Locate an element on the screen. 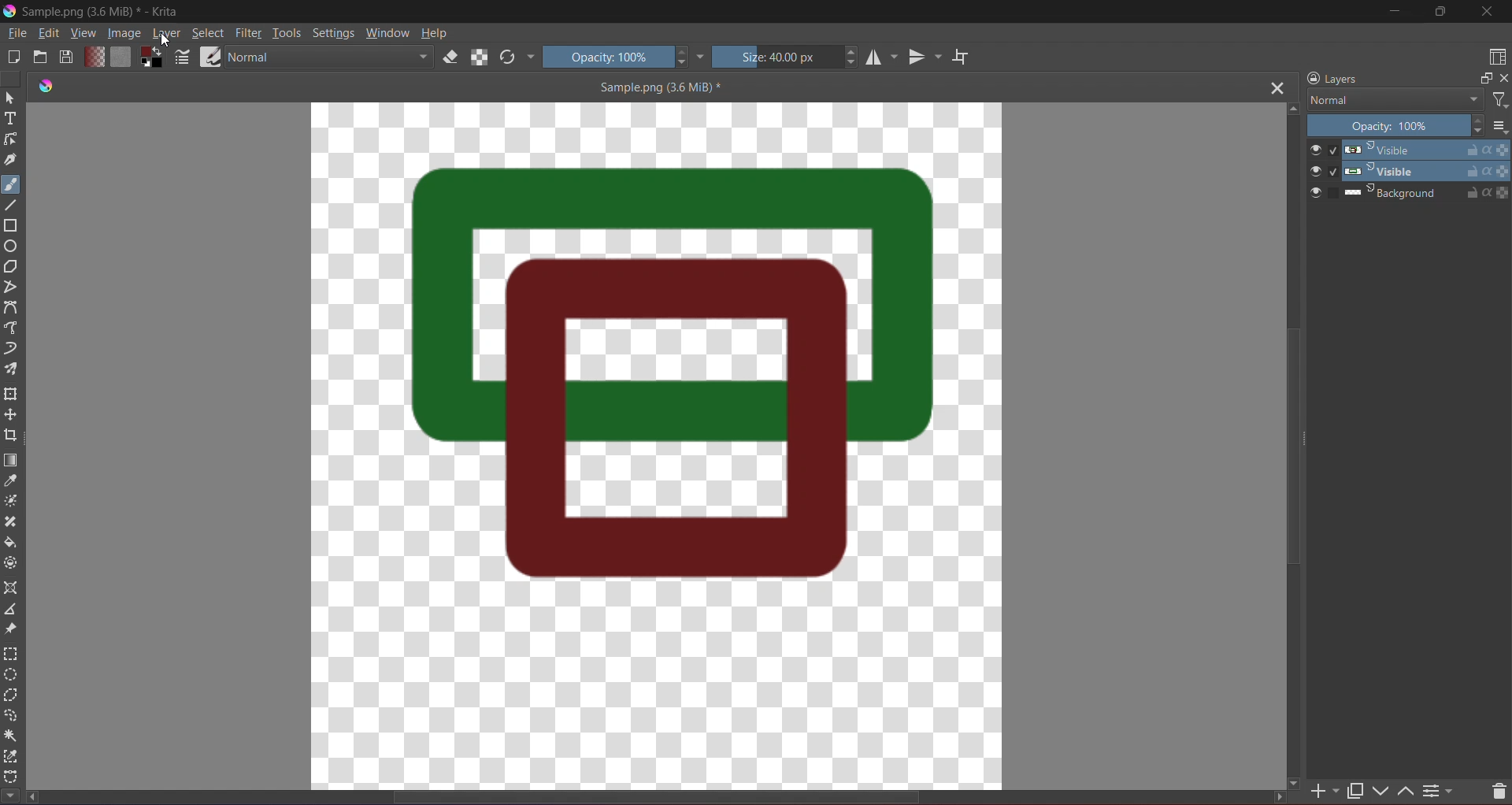 This screenshot has height=805, width=1512. File is located at coordinates (16, 35).